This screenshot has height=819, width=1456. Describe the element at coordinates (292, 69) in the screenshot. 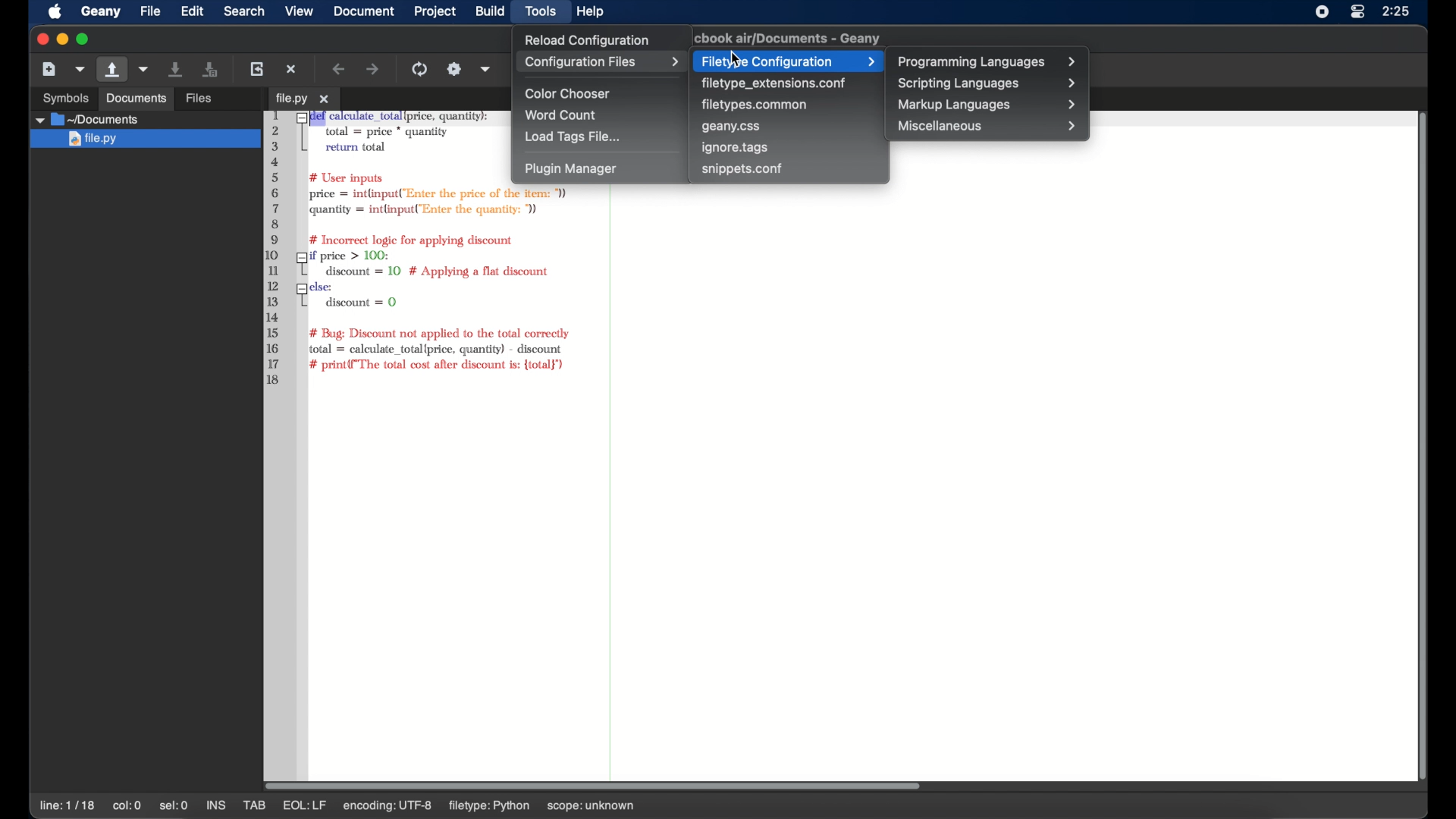

I see `close the current file` at that location.